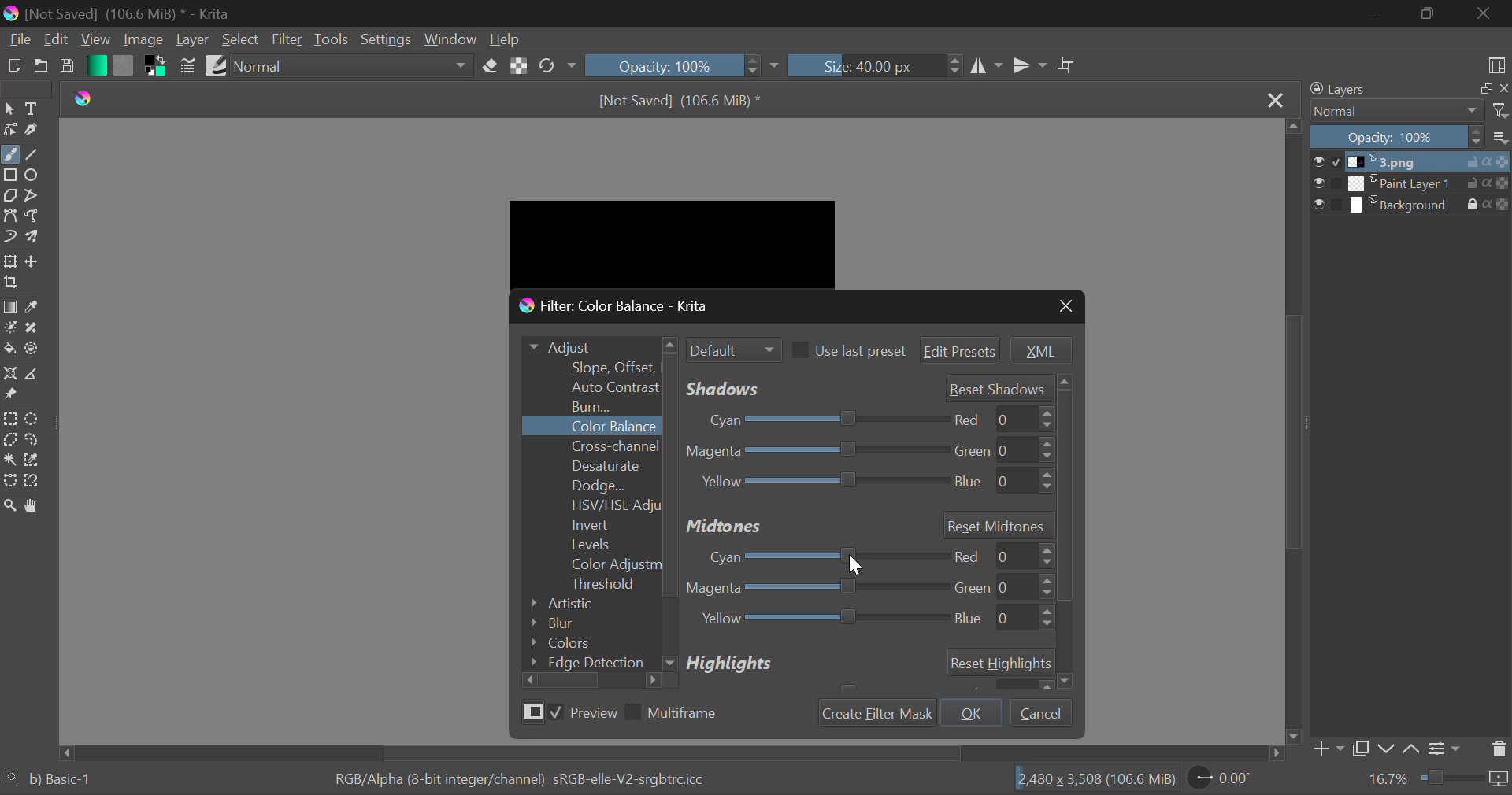  What do you see at coordinates (591, 680) in the screenshot?
I see `Scroll Bar` at bounding box center [591, 680].